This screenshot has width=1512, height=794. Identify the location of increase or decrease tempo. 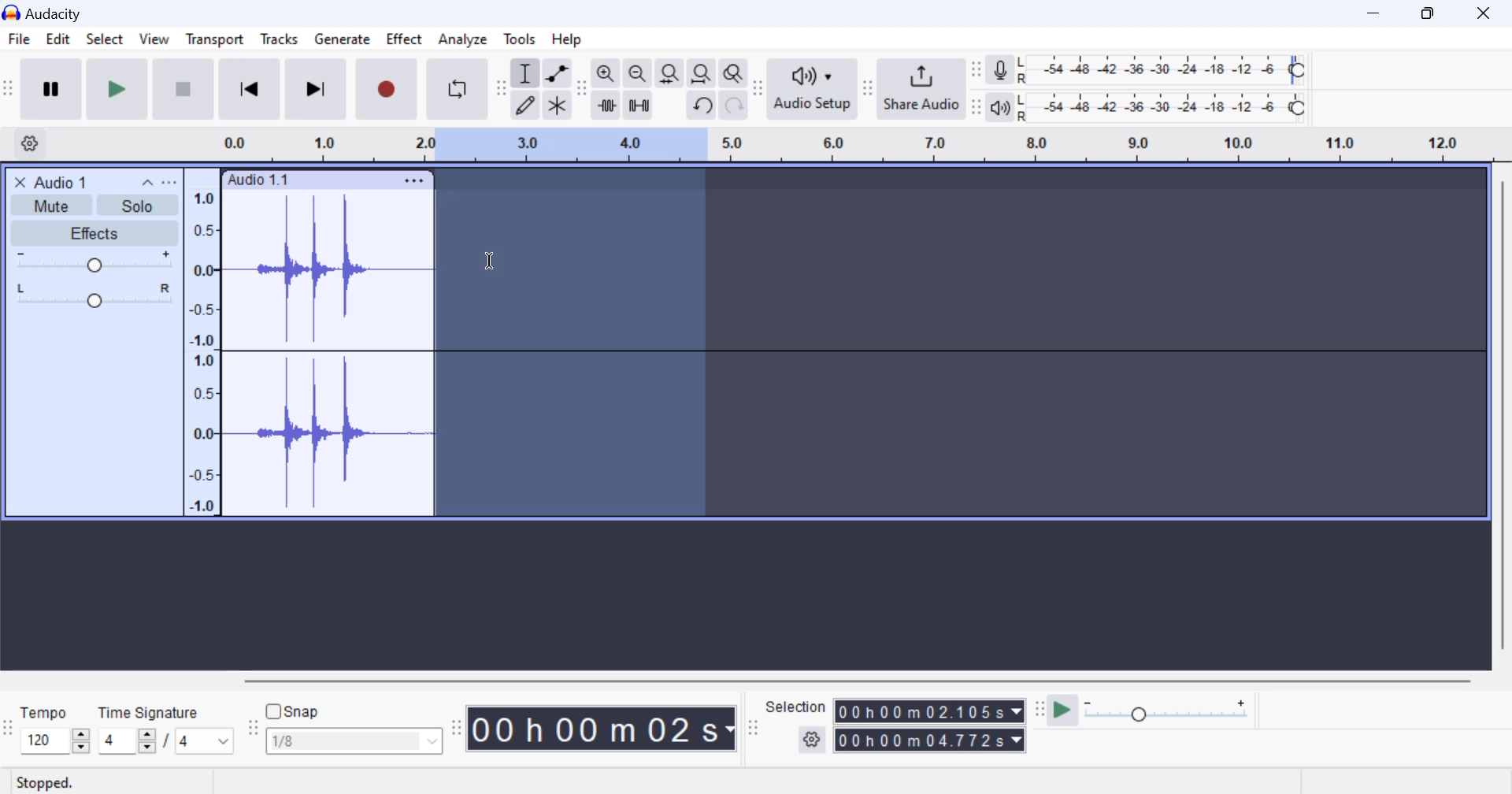
(54, 740).